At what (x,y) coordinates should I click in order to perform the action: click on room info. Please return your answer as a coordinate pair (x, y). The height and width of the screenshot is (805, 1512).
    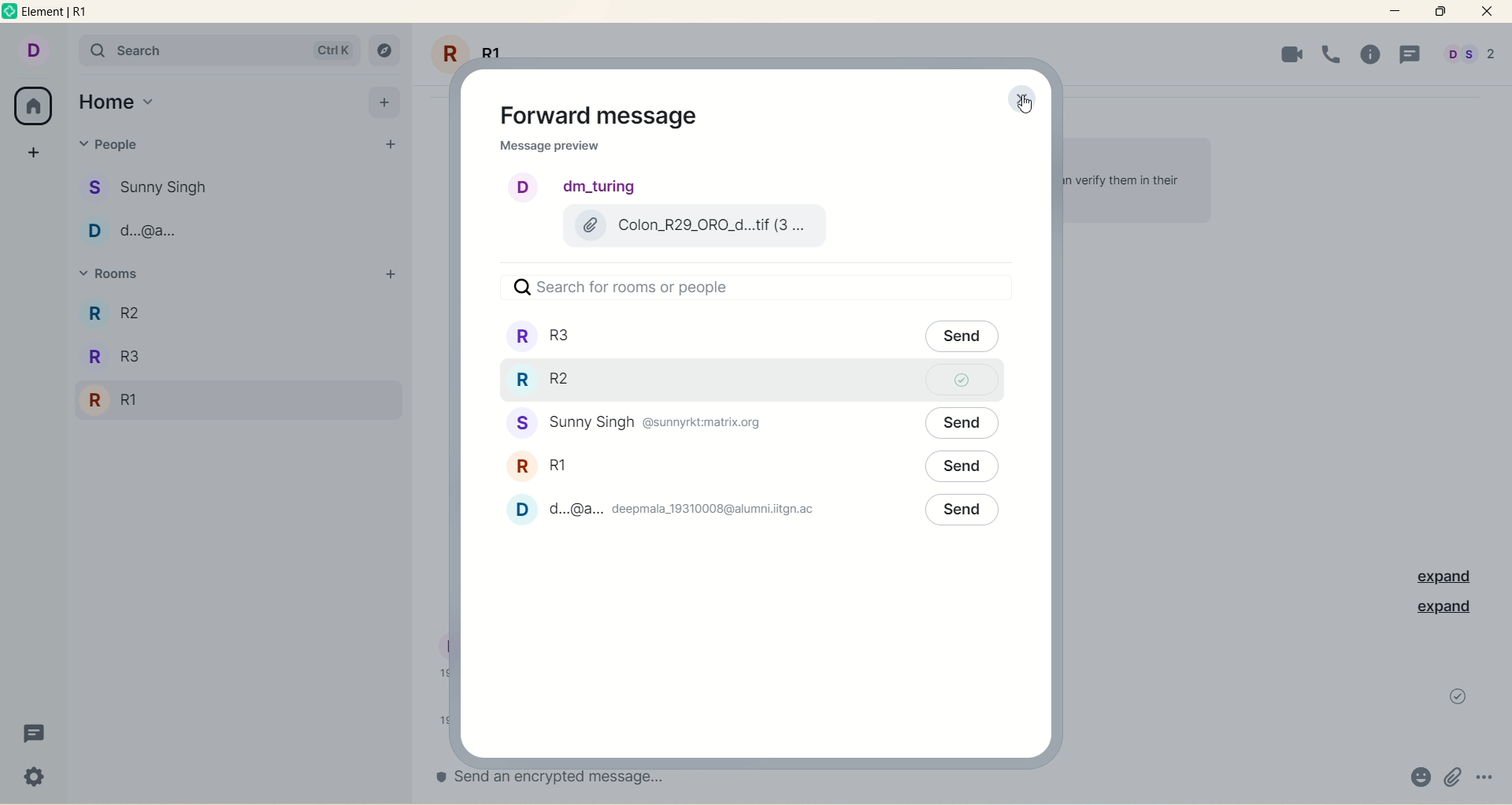
    Looking at the image, I should click on (1377, 55).